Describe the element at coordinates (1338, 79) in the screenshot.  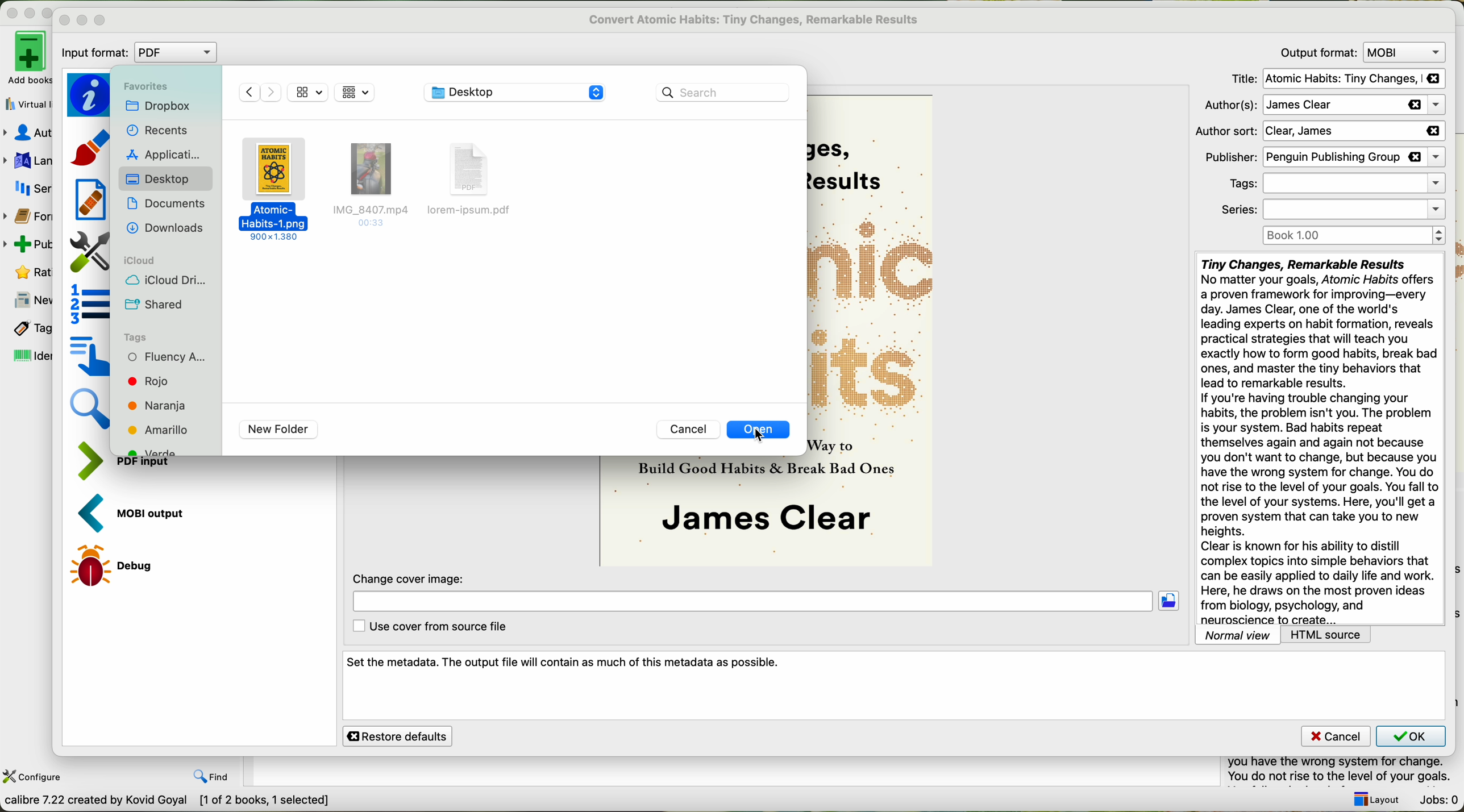
I see `title` at that location.